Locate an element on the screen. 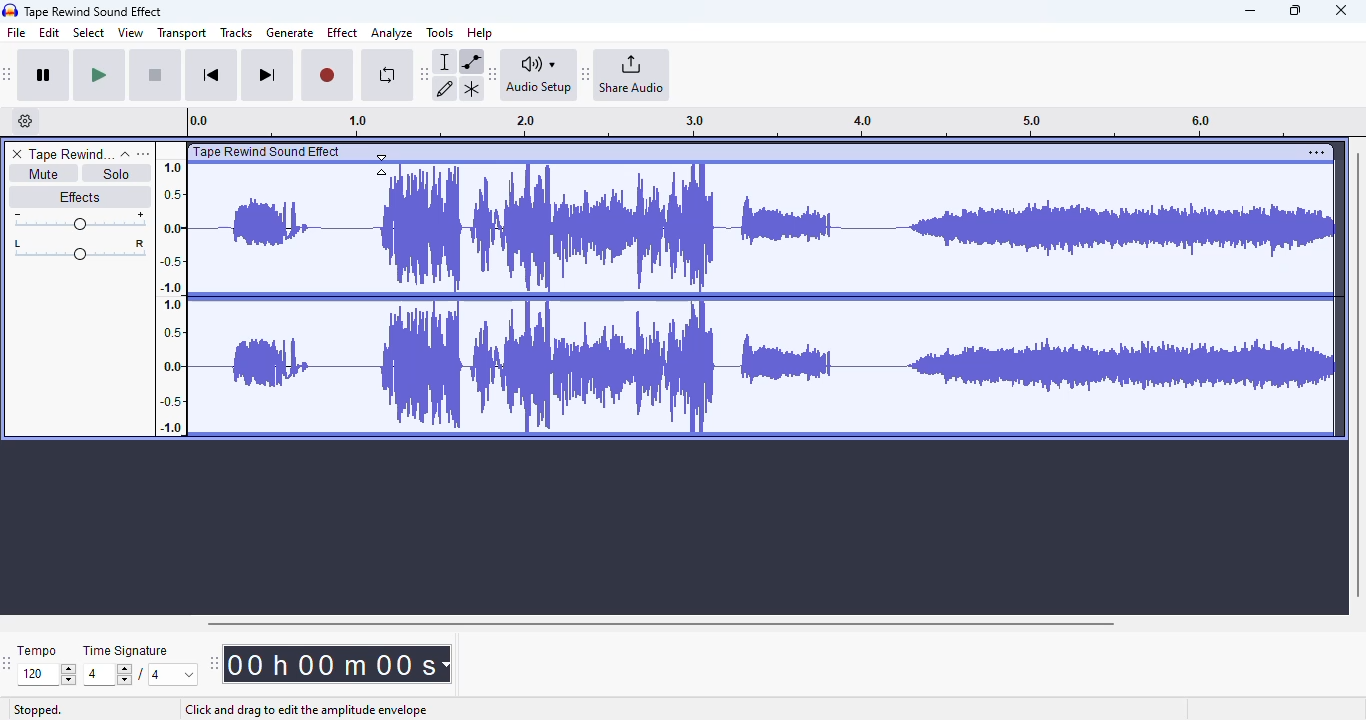  mute is located at coordinates (42, 174).